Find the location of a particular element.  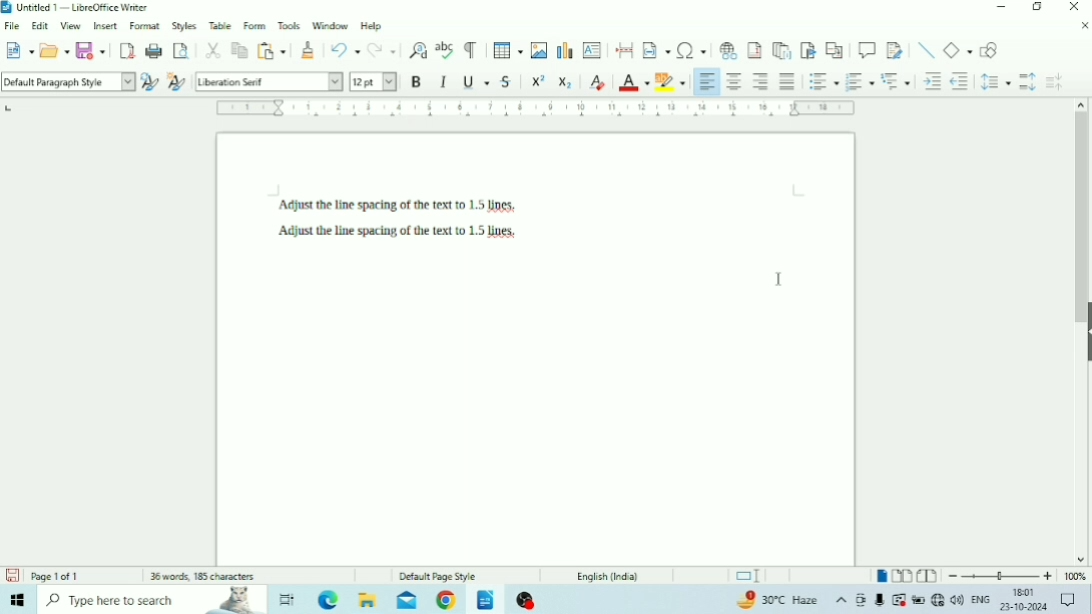

New Style for Selection is located at coordinates (176, 79).